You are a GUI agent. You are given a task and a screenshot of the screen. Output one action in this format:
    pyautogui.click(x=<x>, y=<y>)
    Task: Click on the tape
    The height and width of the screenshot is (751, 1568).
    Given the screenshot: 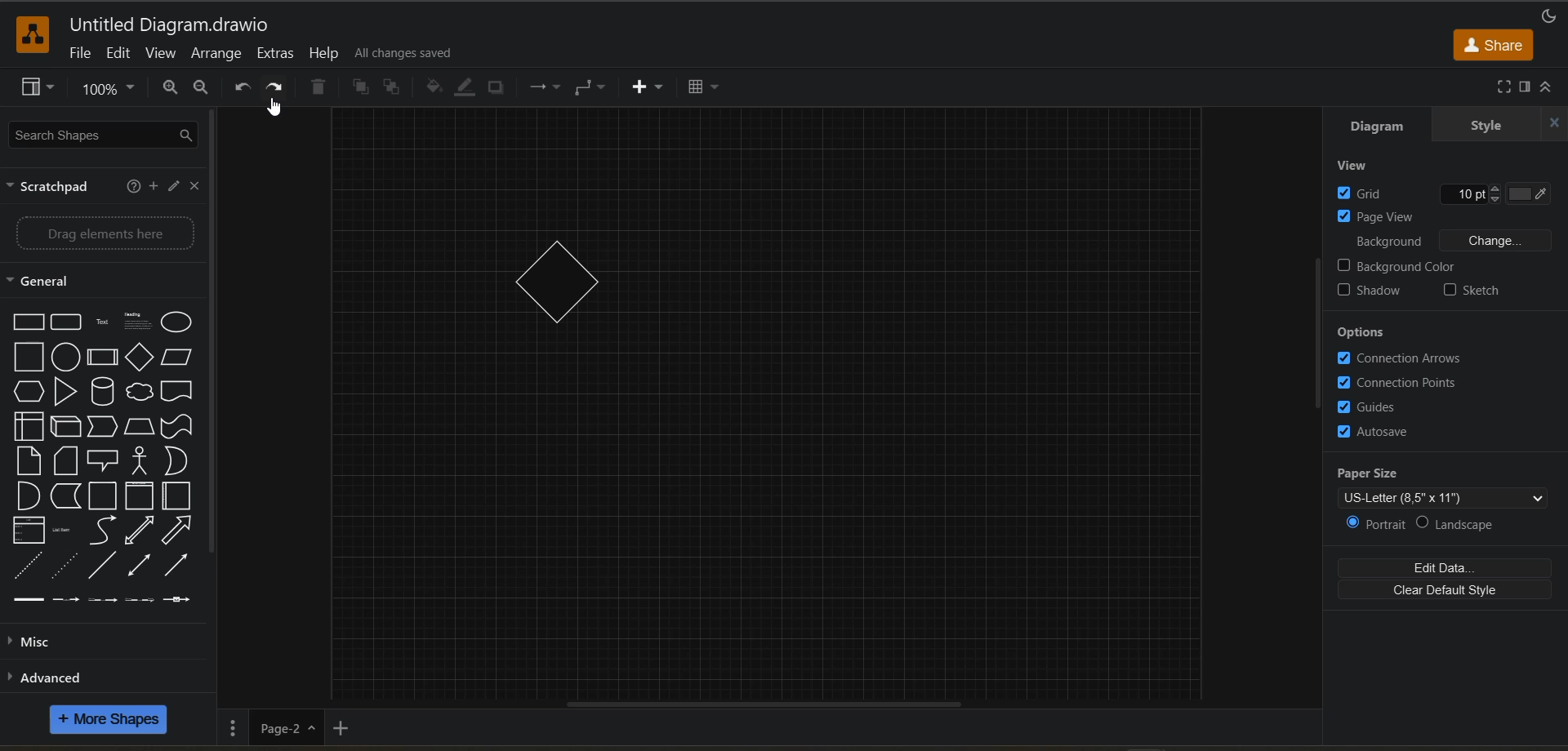 What is the action you would take?
    pyautogui.click(x=175, y=426)
    